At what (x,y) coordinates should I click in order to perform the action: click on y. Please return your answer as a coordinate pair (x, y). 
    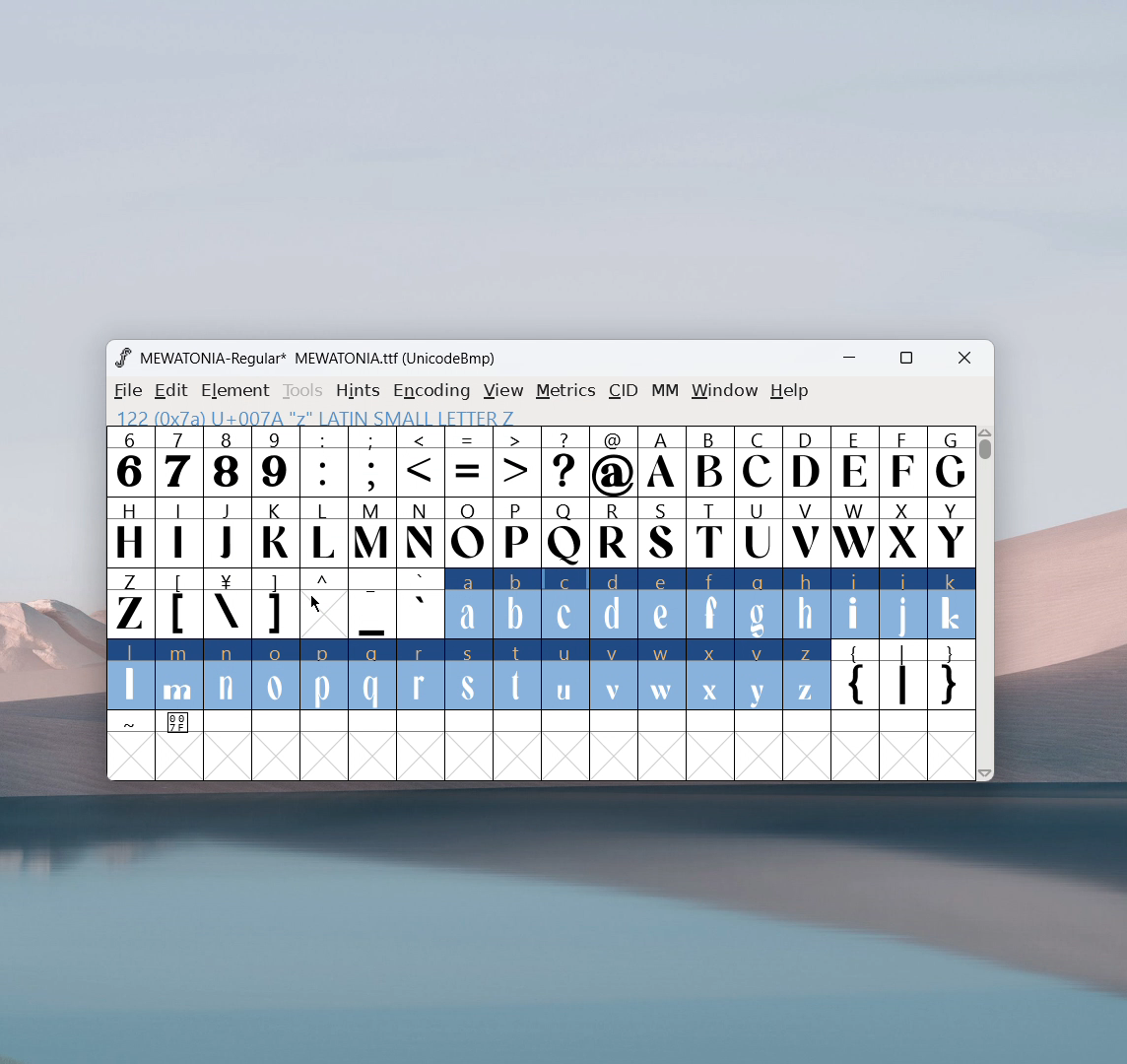
    Looking at the image, I should click on (760, 676).